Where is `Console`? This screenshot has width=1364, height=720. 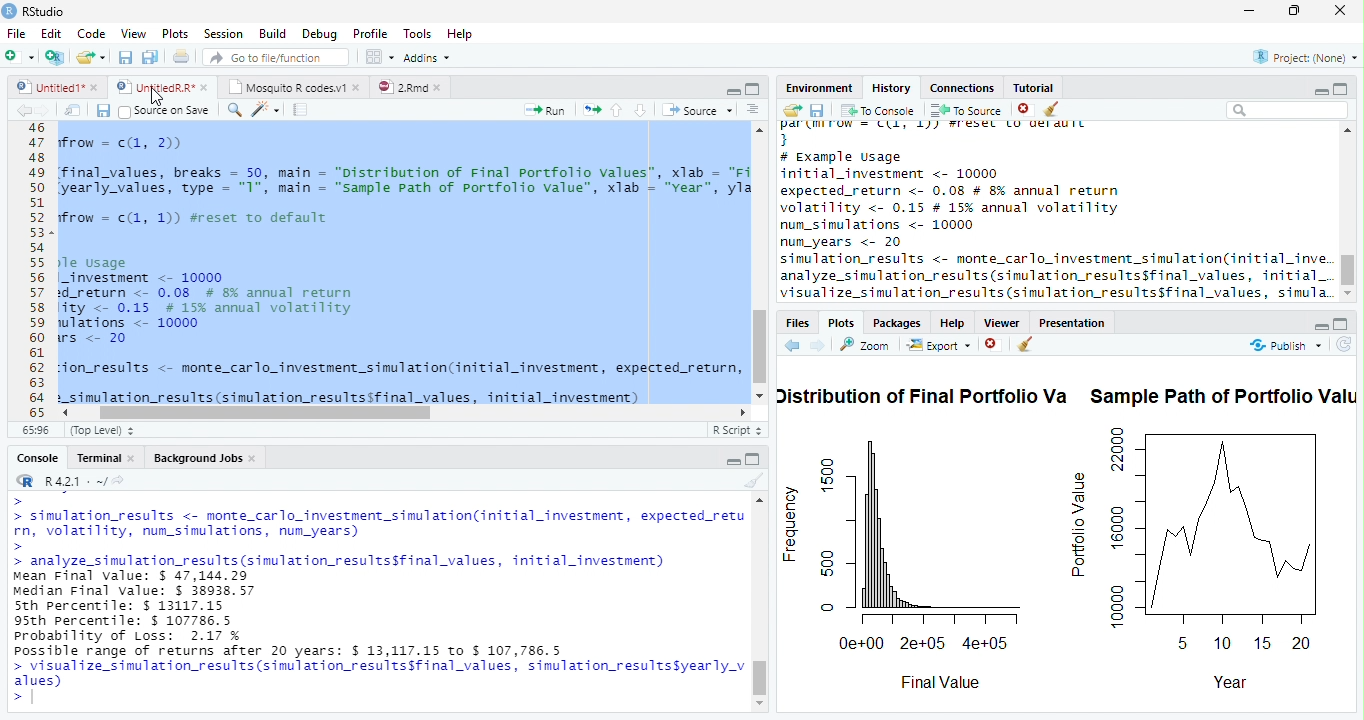 Console is located at coordinates (38, 457).